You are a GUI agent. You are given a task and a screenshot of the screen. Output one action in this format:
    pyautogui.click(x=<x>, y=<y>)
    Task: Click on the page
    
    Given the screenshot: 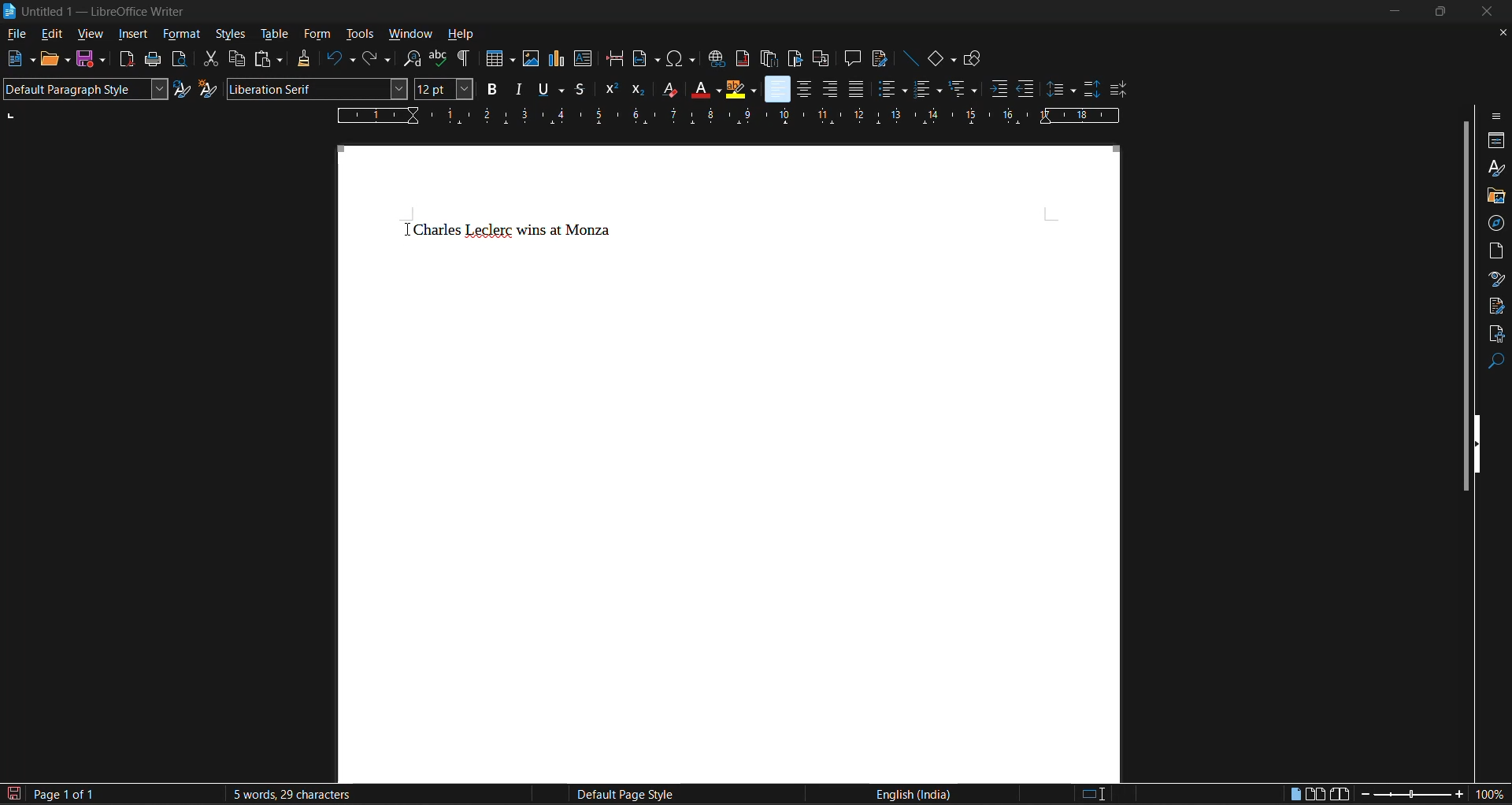 What is the action you would take?
    pyautogui.click(x=1497, y=249)
    